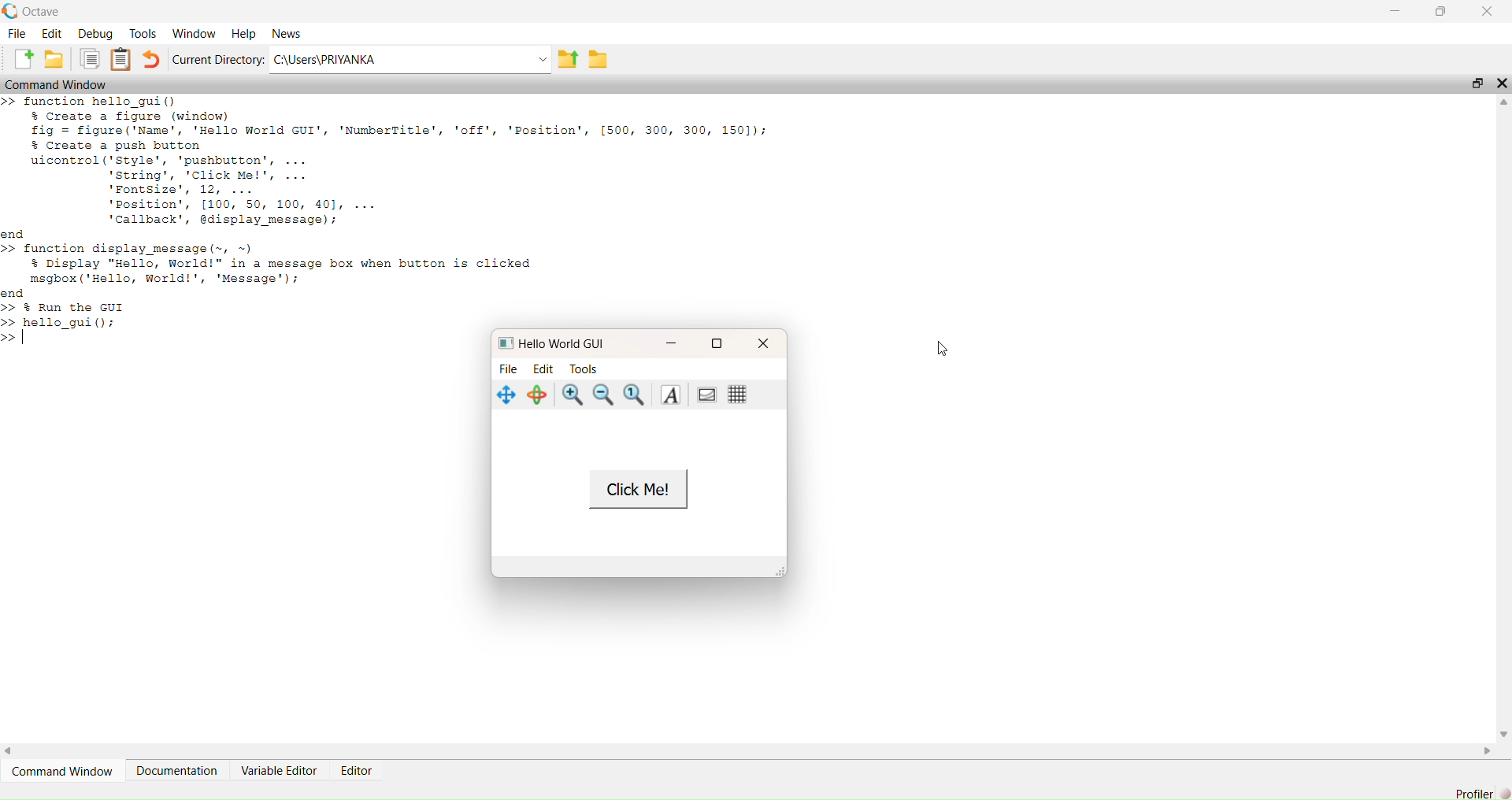 This screenshot has width=1512, height=800. Describe the element at coordinates (286, 32) in the screenshot. I see `News` at that location.